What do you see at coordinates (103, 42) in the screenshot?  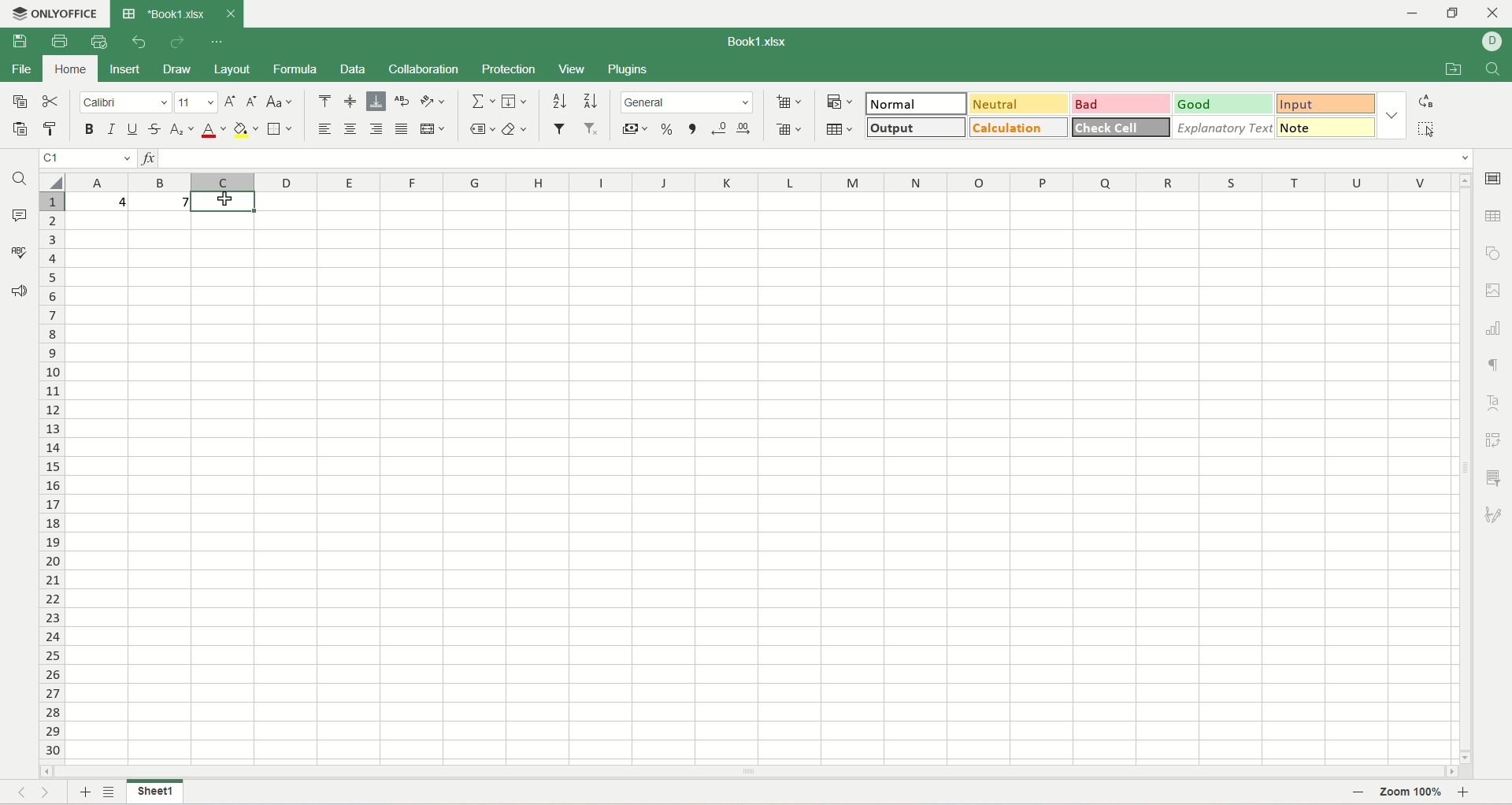 I see `print preview` at bounding box center [103, 42].